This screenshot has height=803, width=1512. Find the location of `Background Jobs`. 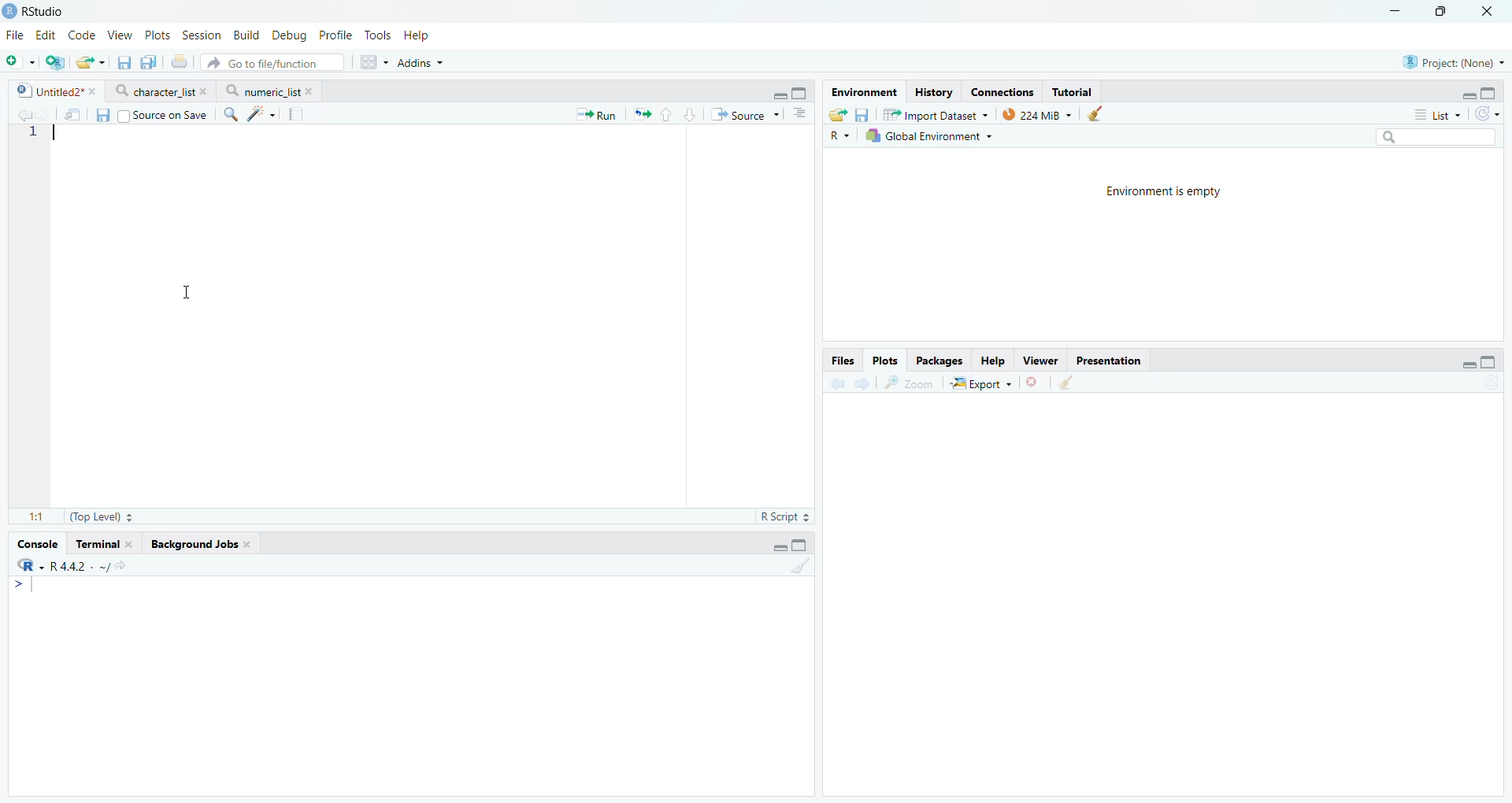

Background Jobs is located at coordinates (201, 546).